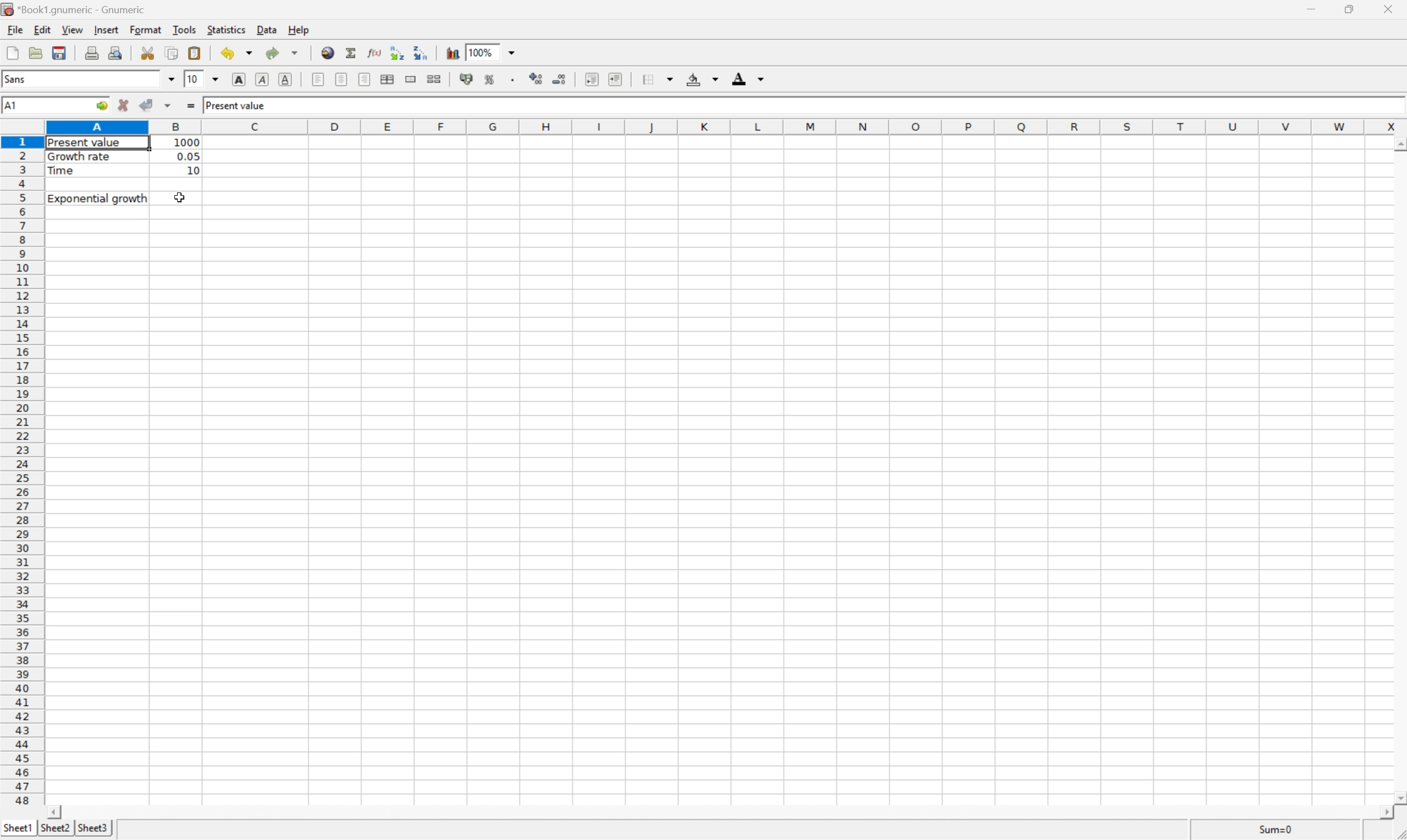  I want to click on Insert hyperlink, so click(328, 53).